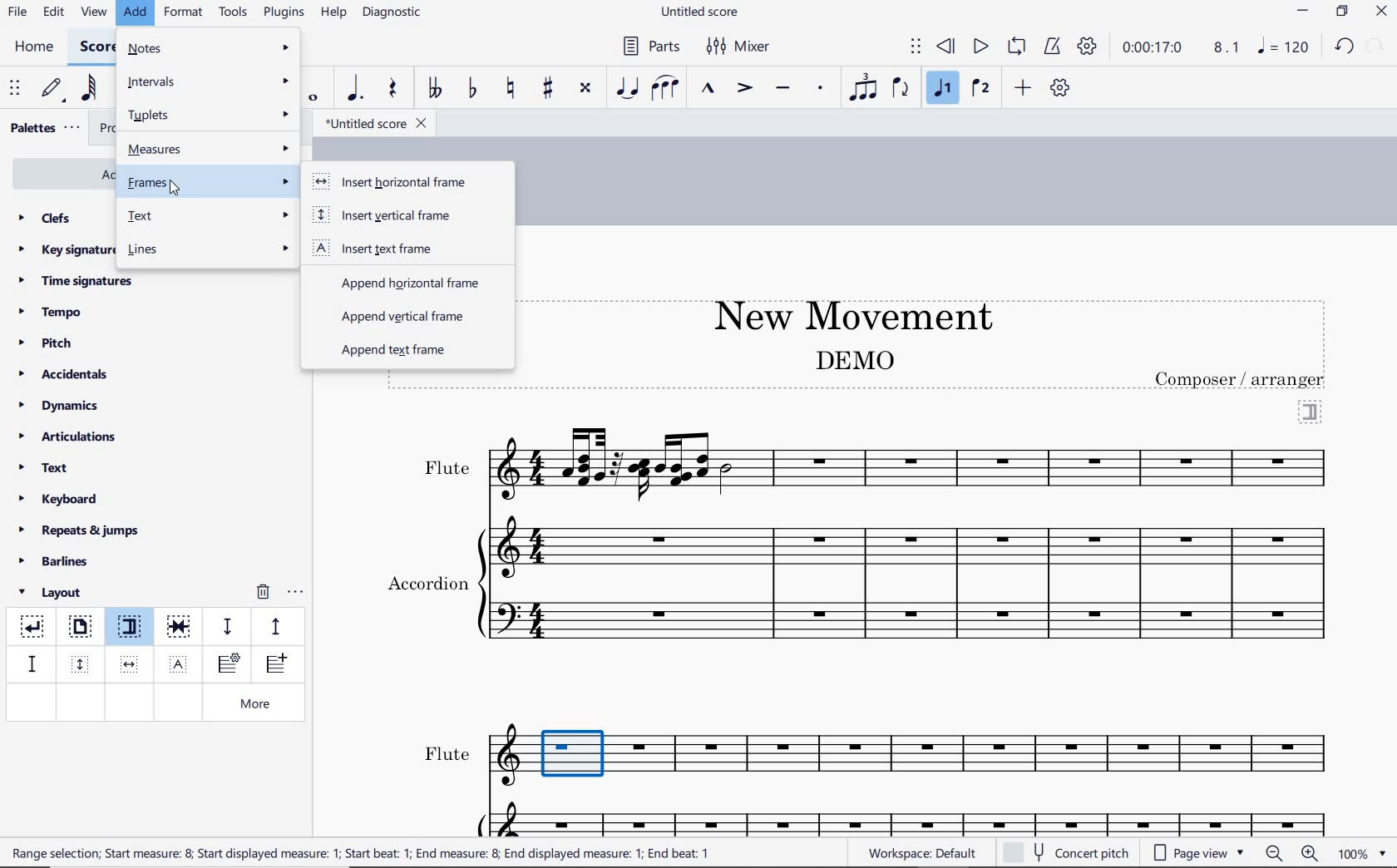  What do you see at coordinates (702, 12) in the screenshot?
I see `file name` at bounding box center [702, 12].